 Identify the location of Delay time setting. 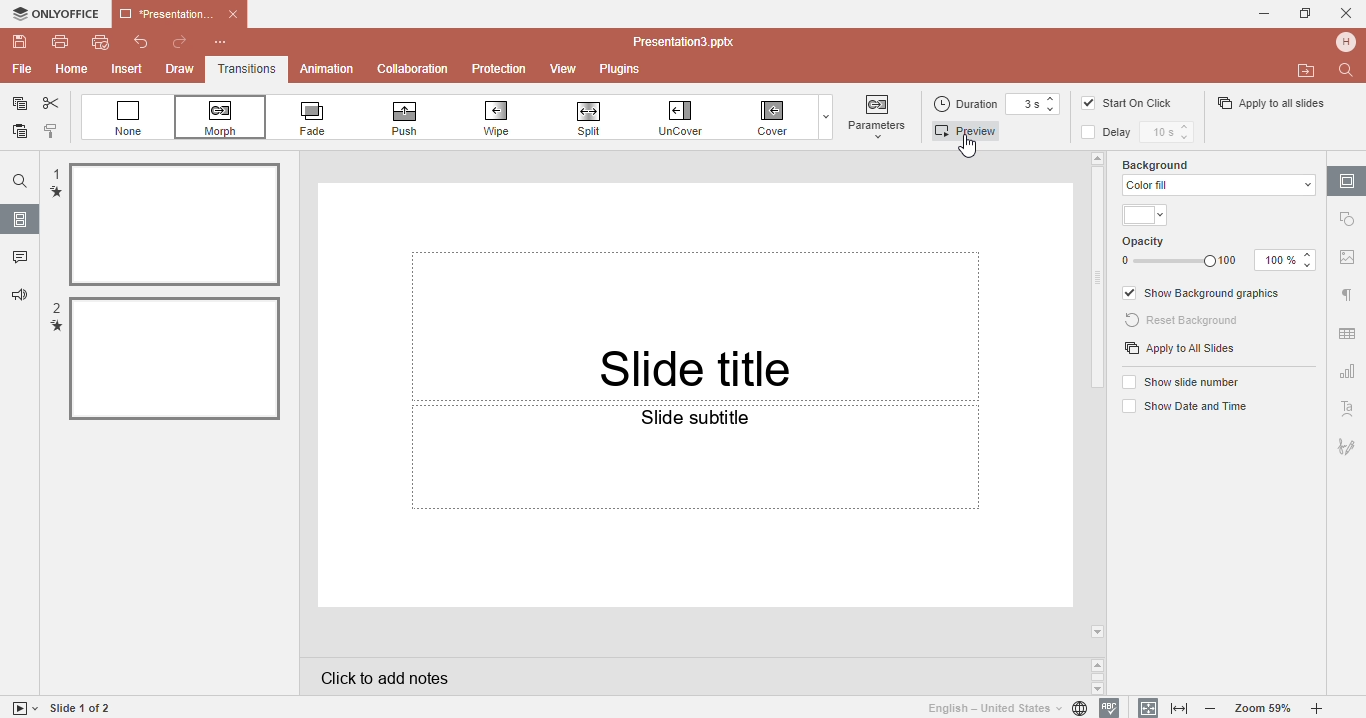
(1171, 133).